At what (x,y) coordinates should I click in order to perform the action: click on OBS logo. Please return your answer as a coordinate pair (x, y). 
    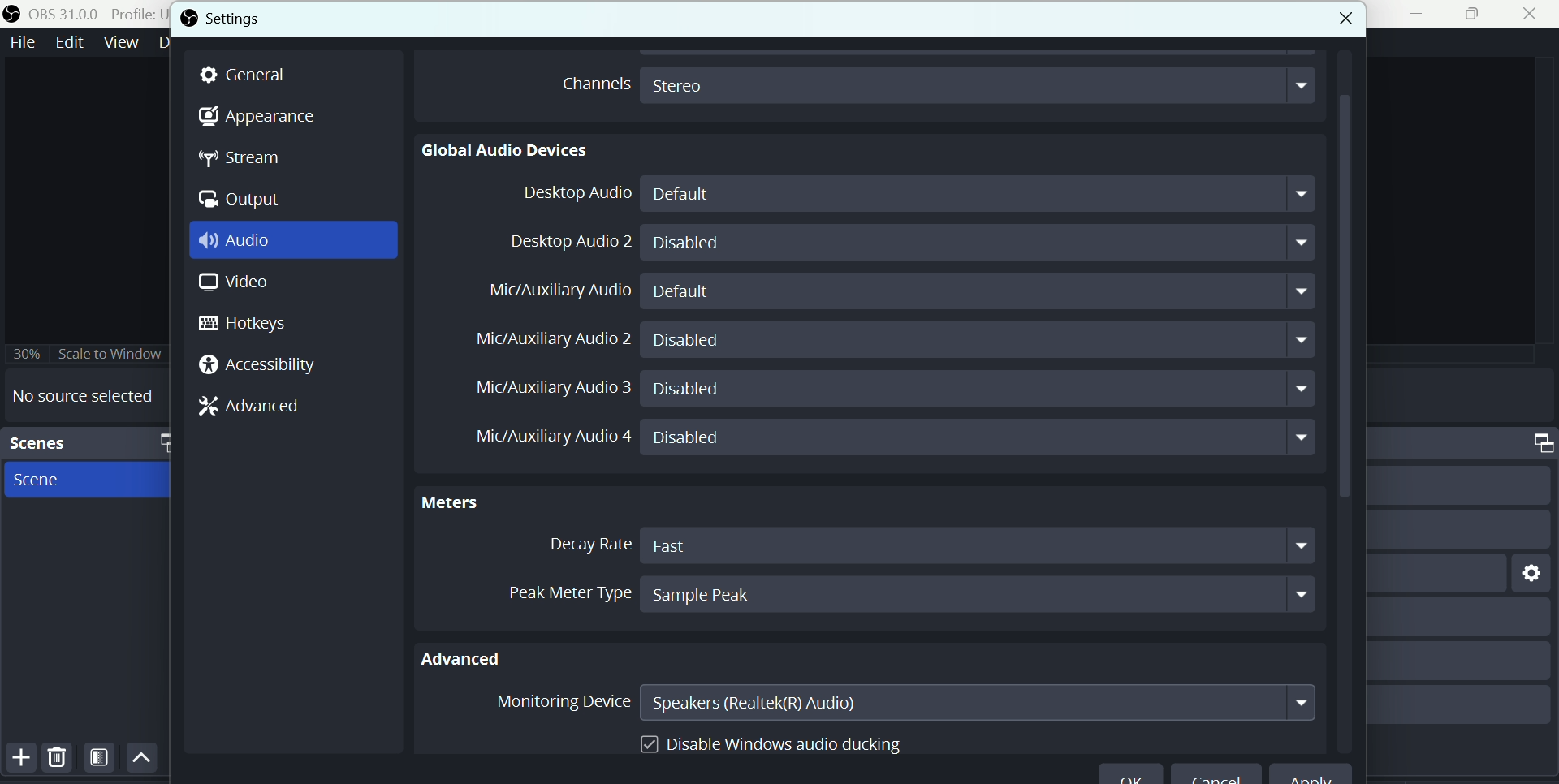
    Looking at the image, I should click on (188, 18).